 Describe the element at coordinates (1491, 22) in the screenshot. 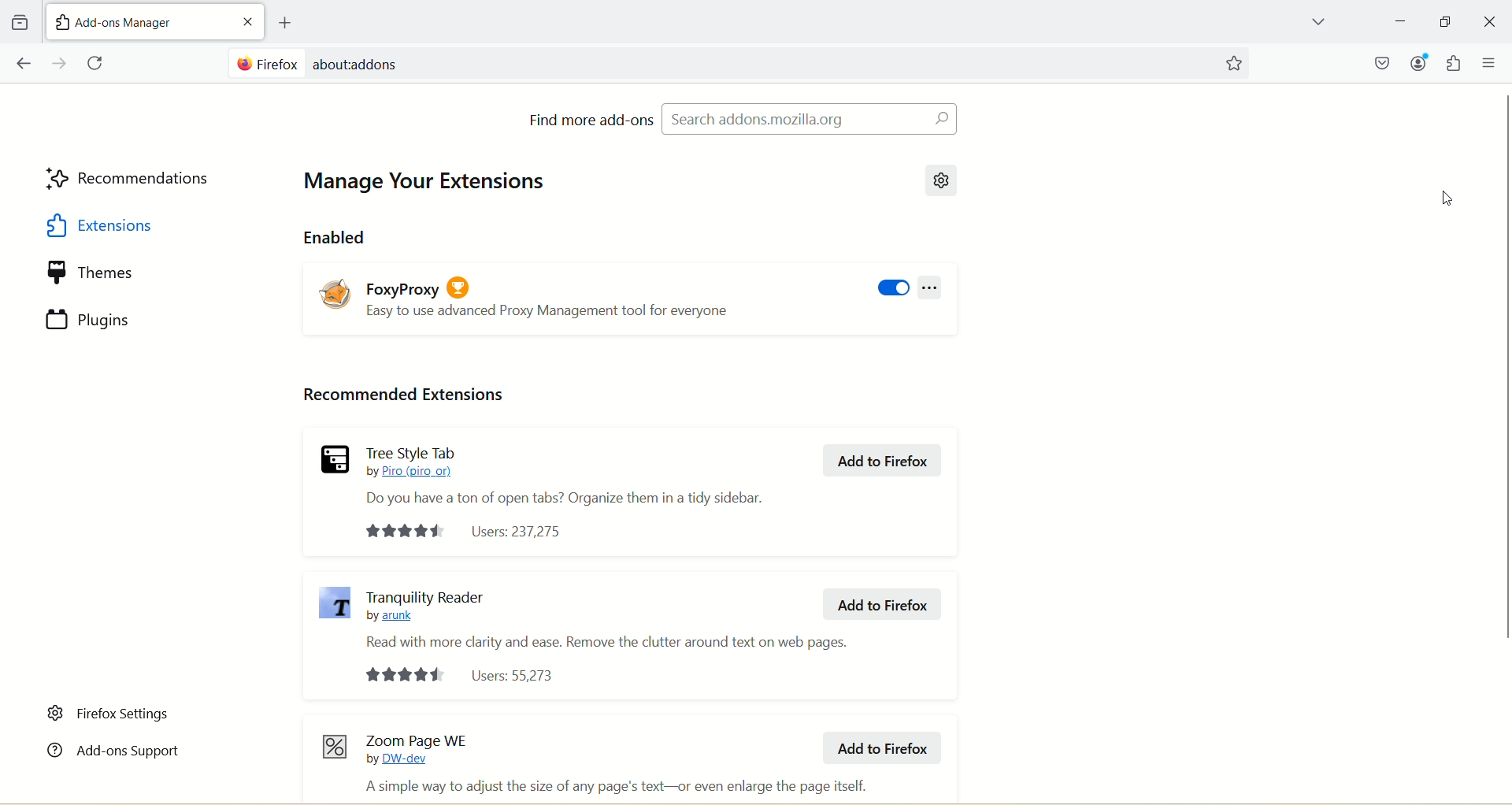

I see `Close` at that location.